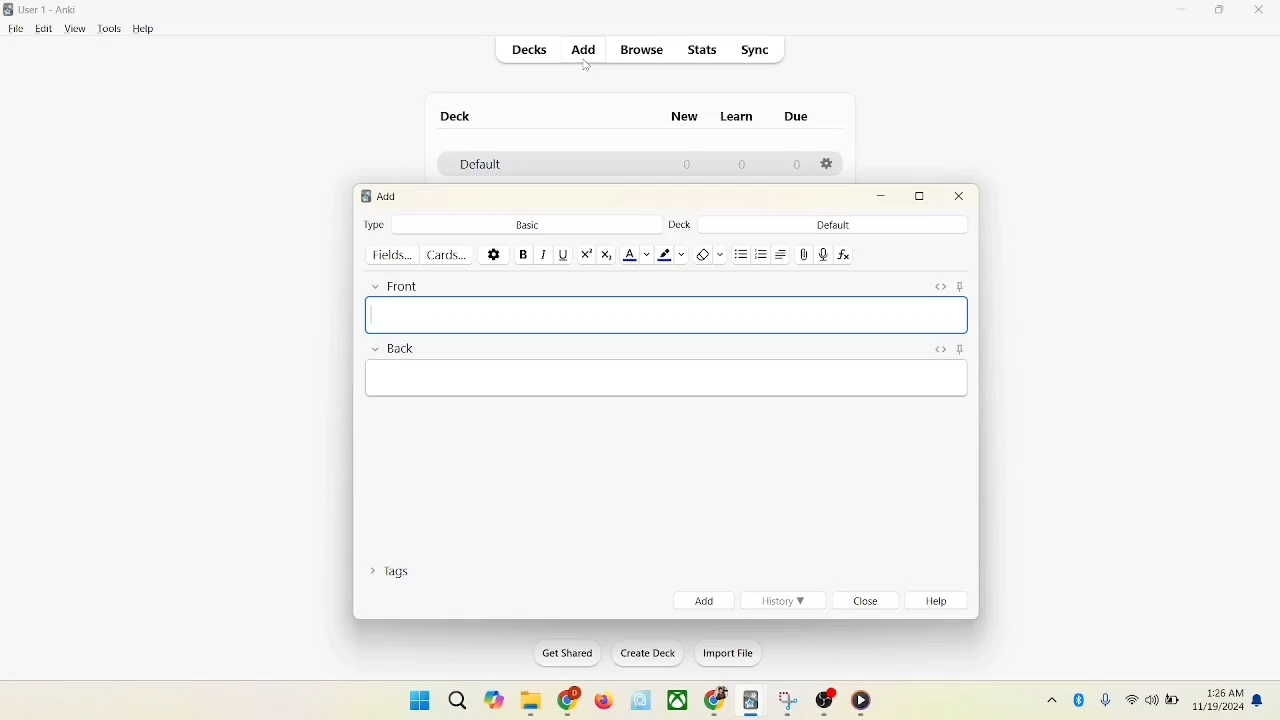  What do you see at coordinates (586, 254) in the screenshot?
I see `superscript` at bounding box center [586, 254].